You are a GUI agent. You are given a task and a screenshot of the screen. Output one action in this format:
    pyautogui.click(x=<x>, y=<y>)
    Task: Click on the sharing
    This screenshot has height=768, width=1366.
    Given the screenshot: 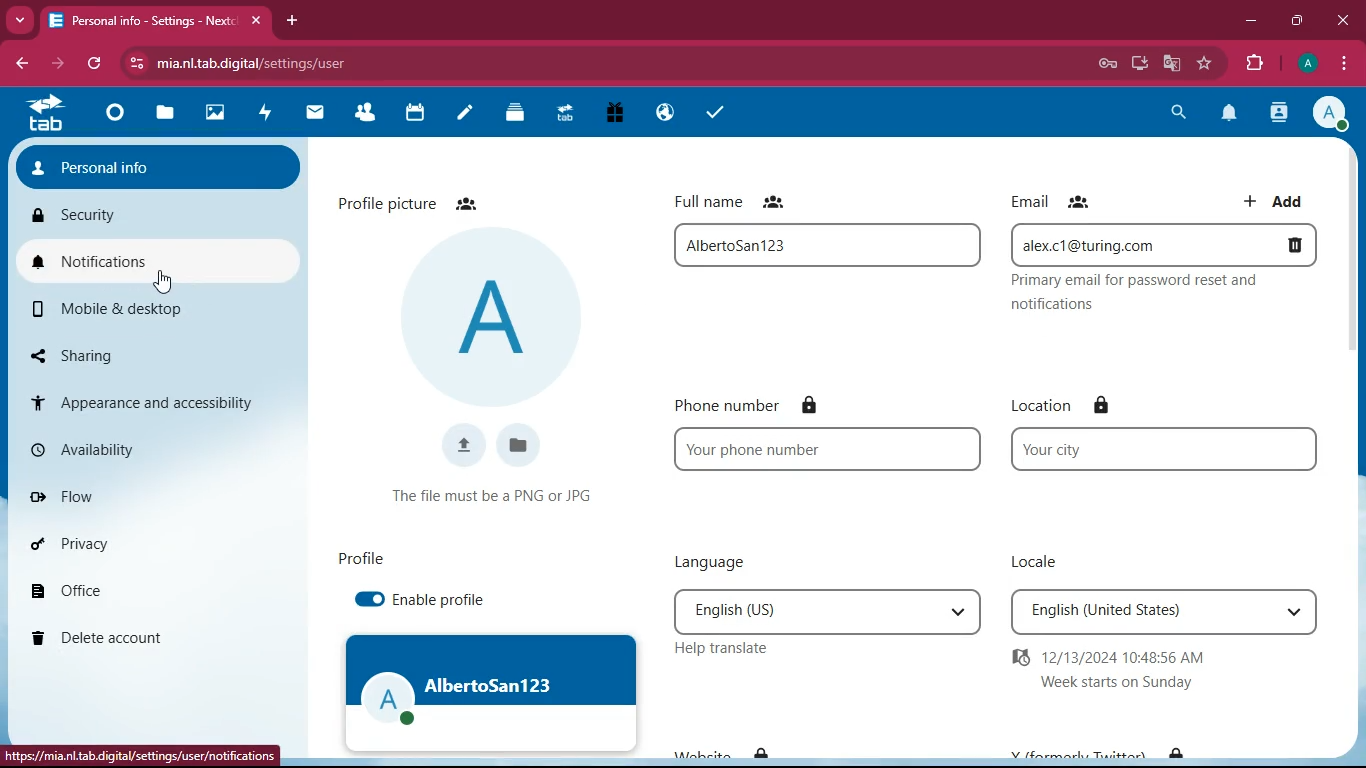 What is the action you would take?
    pyautogui.click(x=152, y=355)
    